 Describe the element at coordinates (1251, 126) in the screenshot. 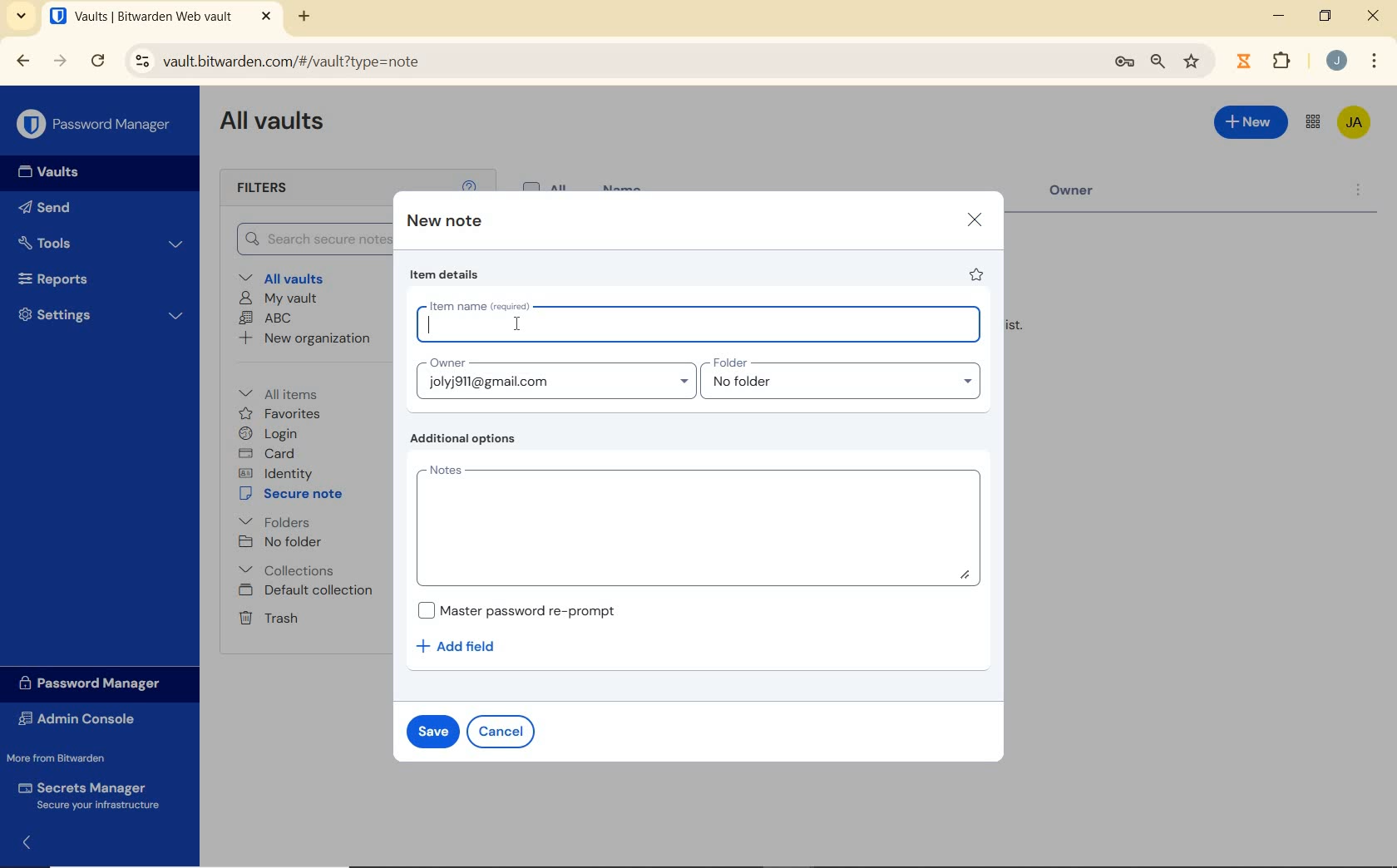

I see `New` at that location.